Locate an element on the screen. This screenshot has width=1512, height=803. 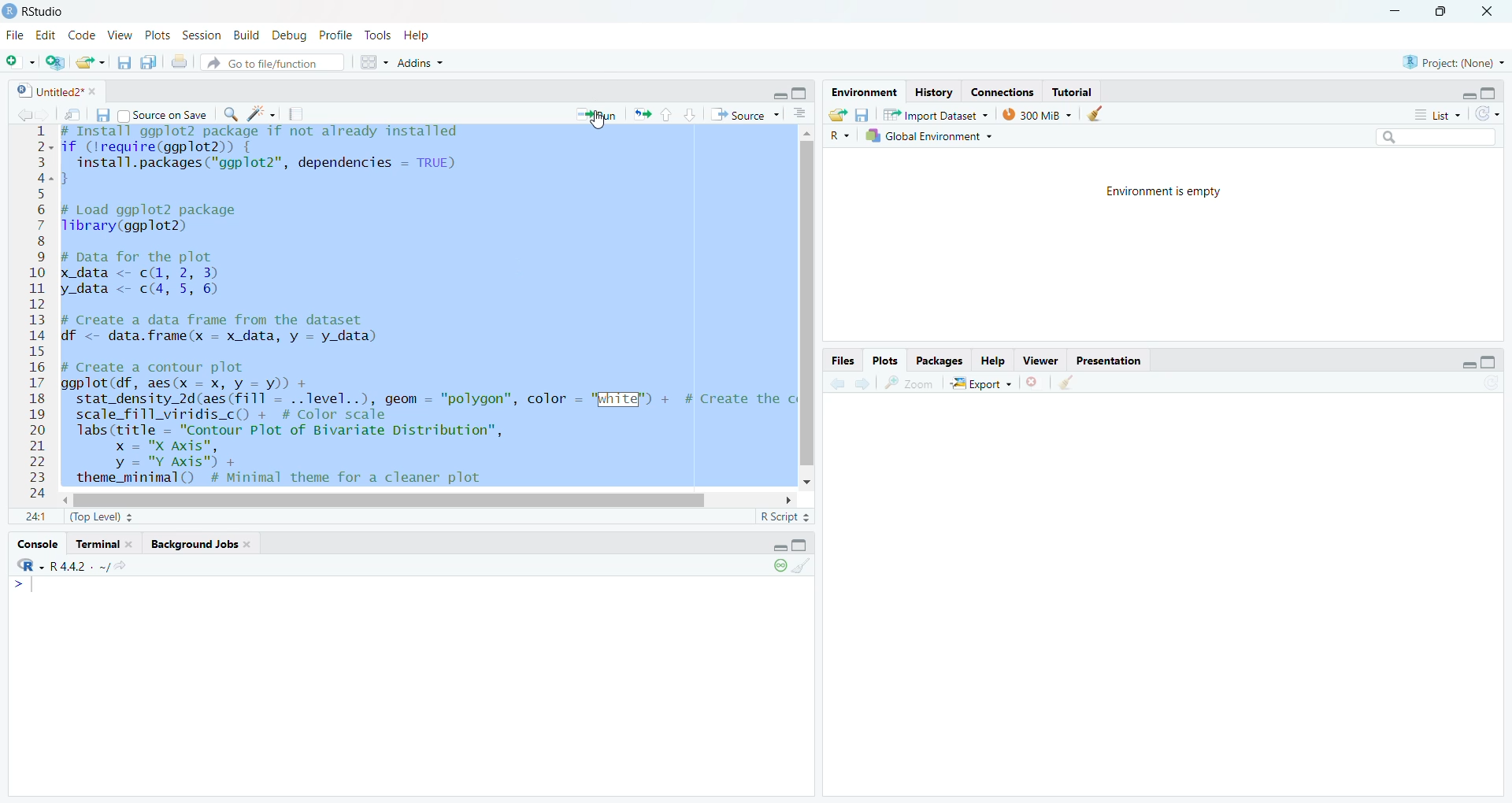
zoom is located at coordinates (909, 383).